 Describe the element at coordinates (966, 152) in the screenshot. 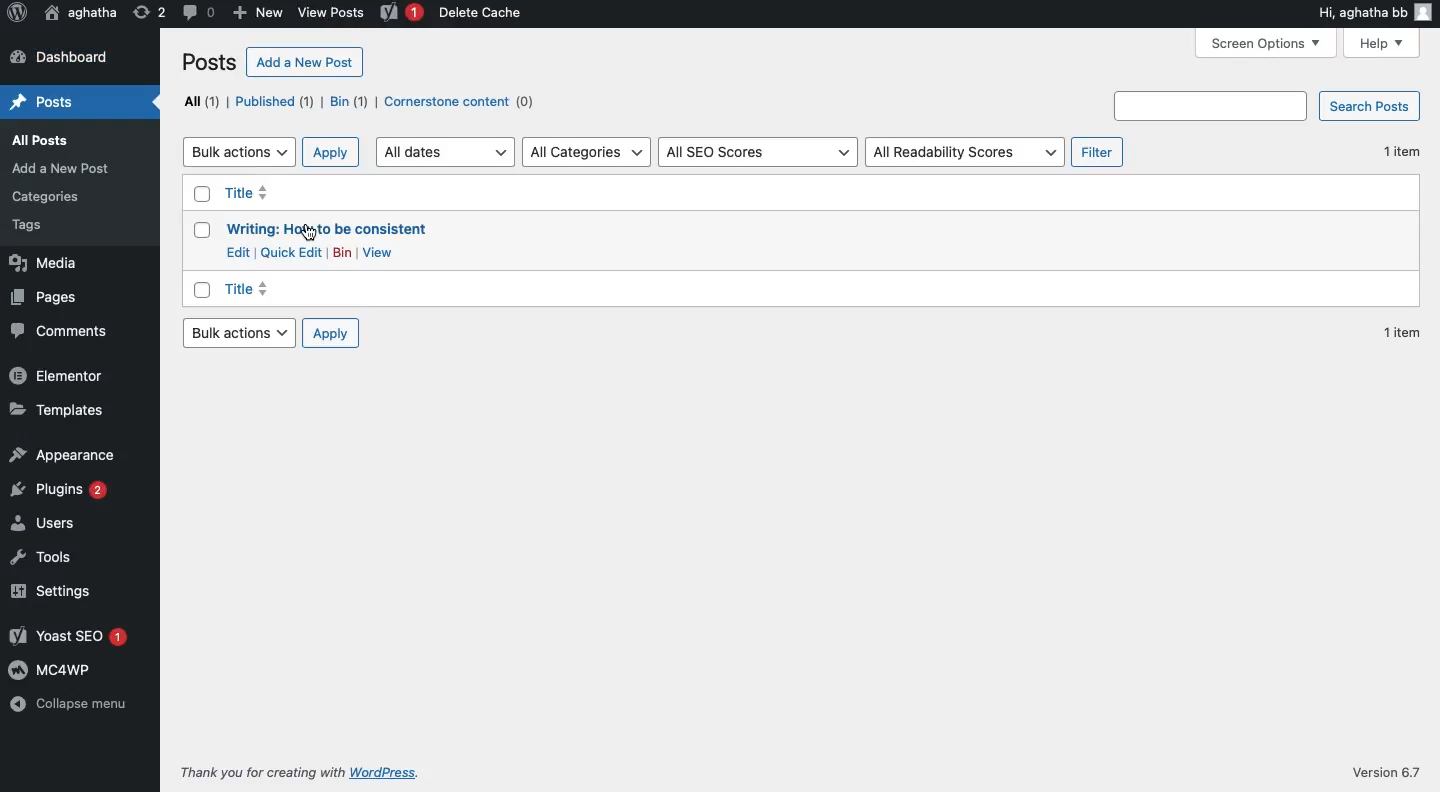

I see `All Readability Scores` at that location.